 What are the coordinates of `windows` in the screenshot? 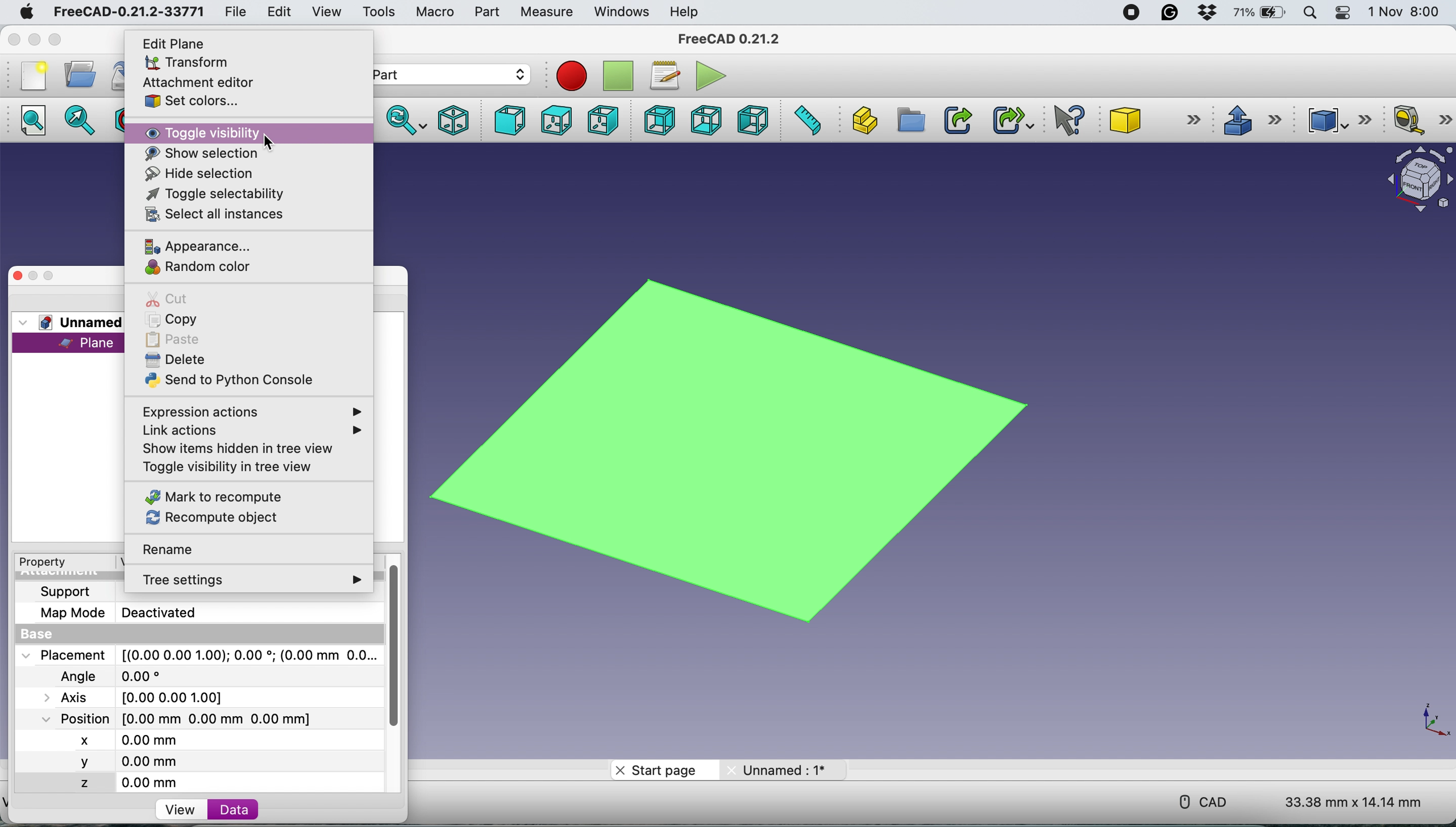 It's located at (623, 12).